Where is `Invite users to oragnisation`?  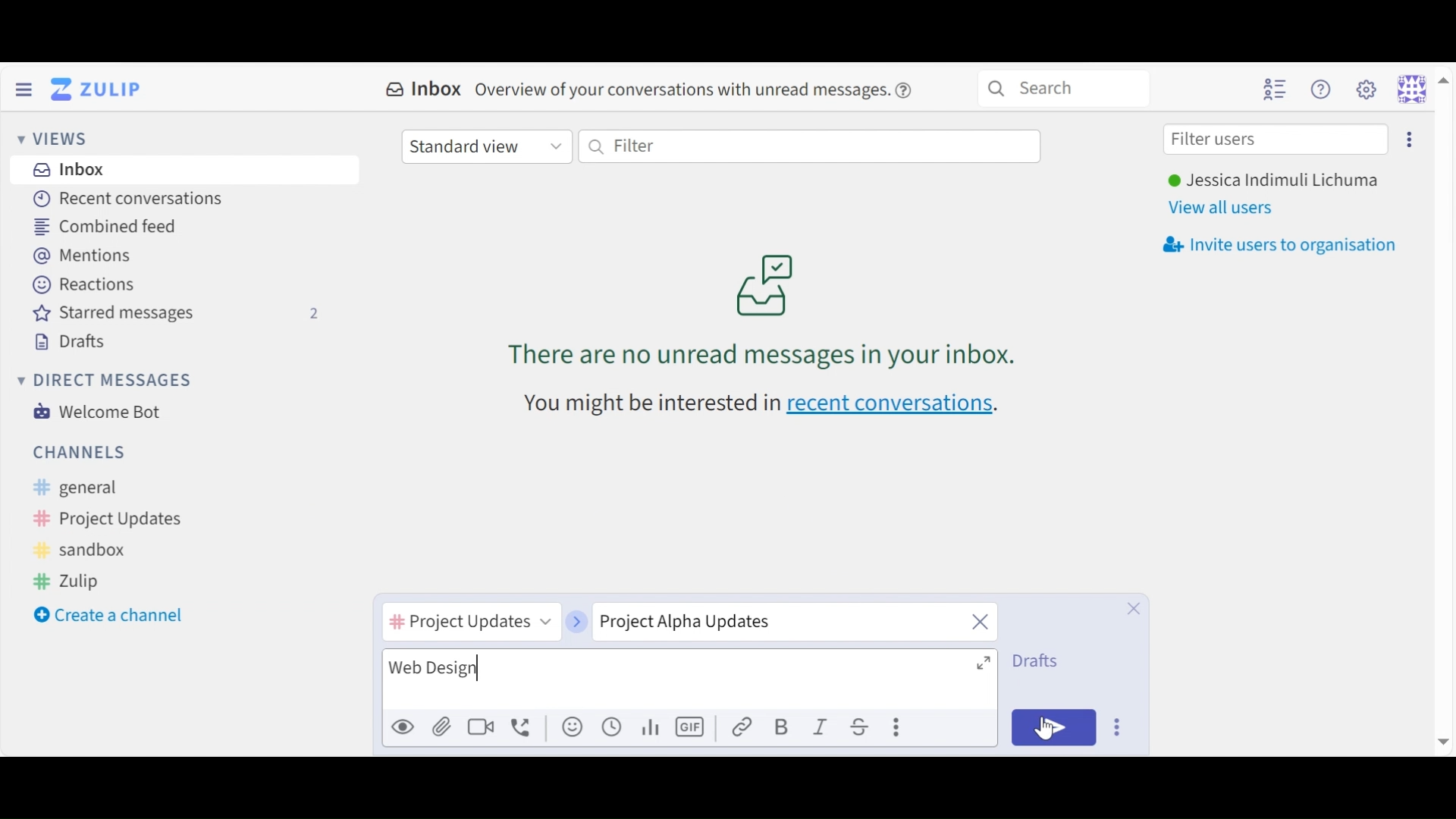 Invite users to oragnisation is located at coordinates (1287, 245).